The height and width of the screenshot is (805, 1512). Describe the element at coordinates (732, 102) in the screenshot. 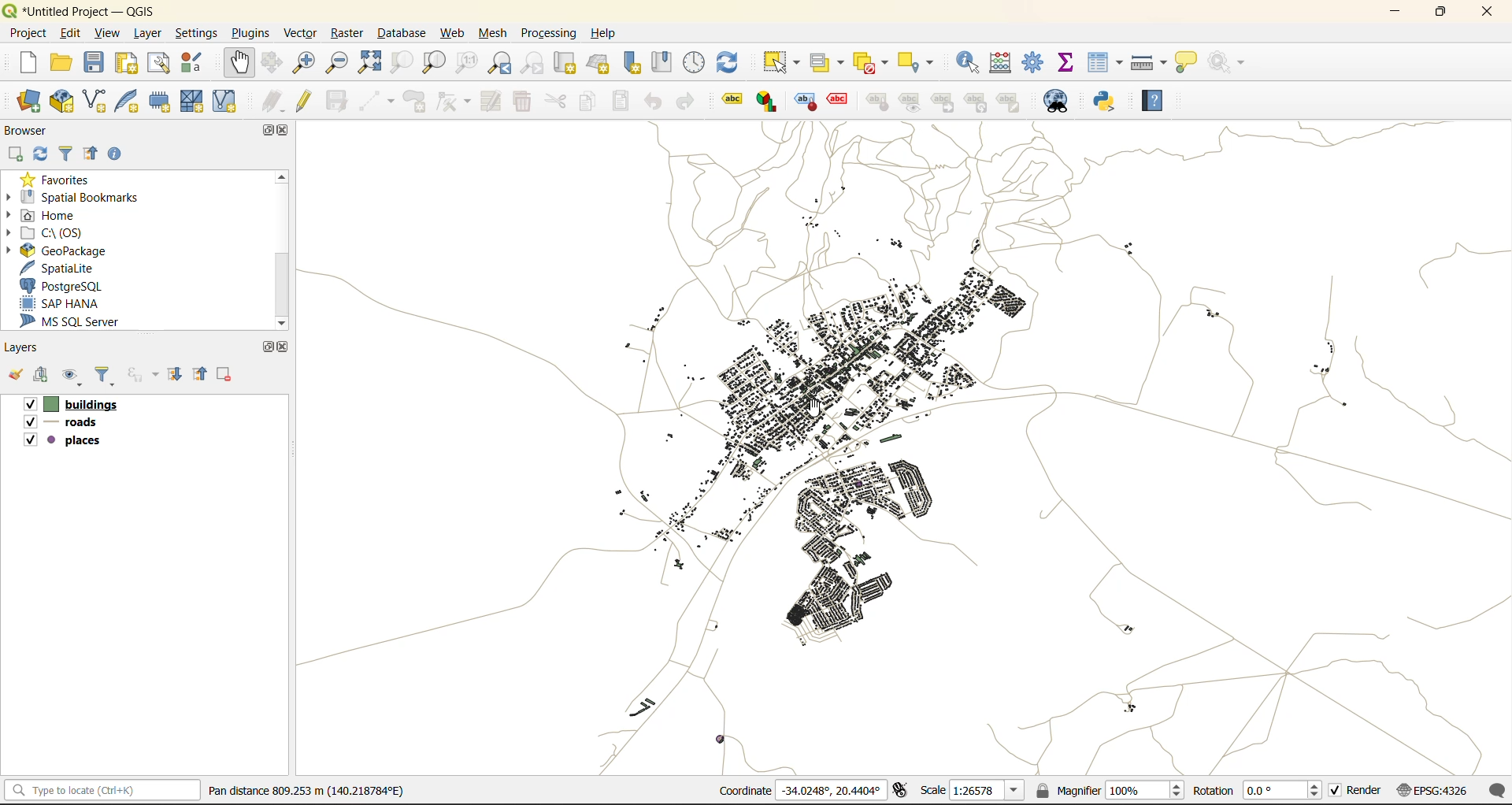

I see `Label tool` at that location.